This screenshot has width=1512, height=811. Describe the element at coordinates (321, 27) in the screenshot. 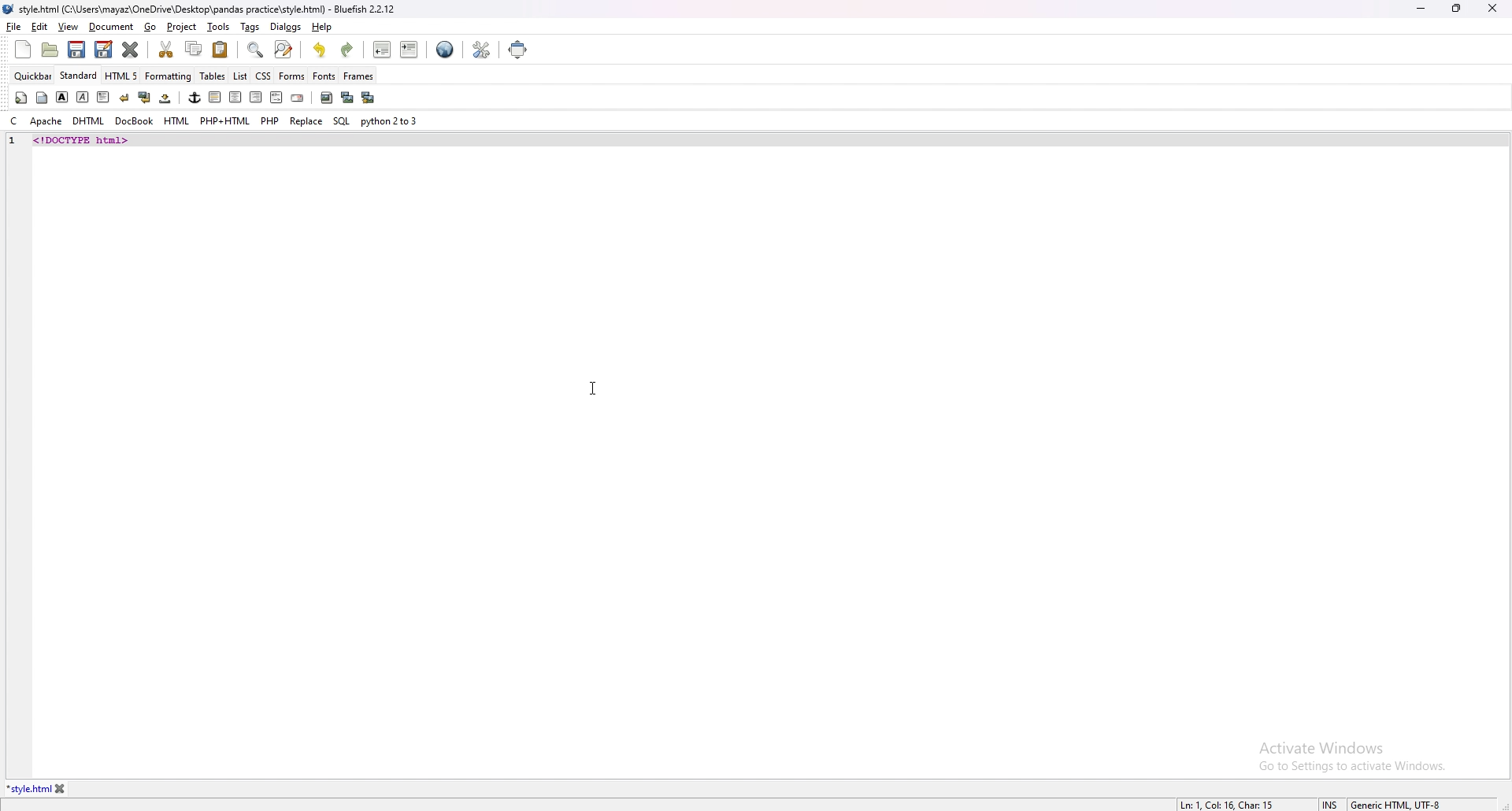

I see `help` at that location.